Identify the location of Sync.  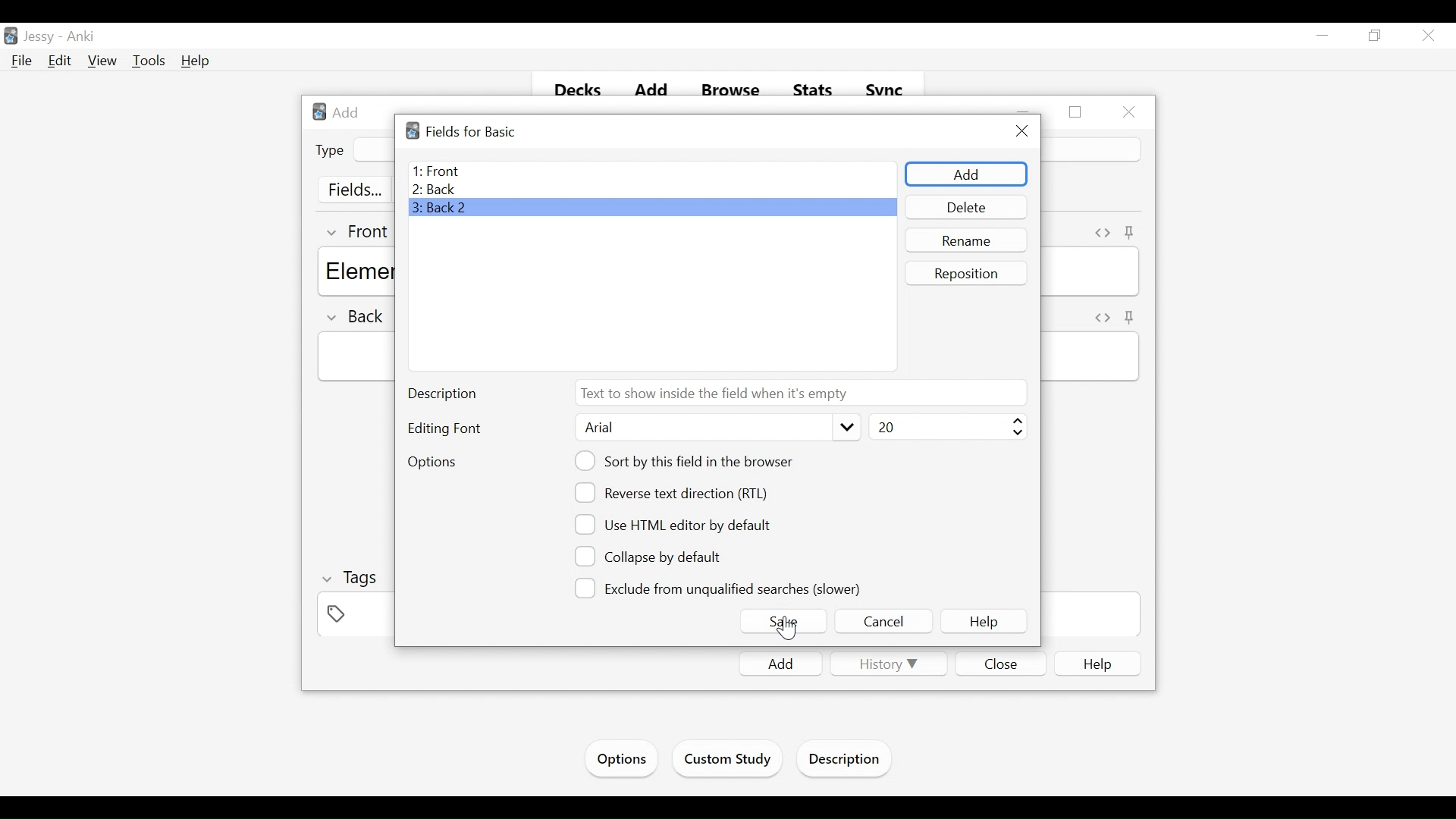
(885, 90).